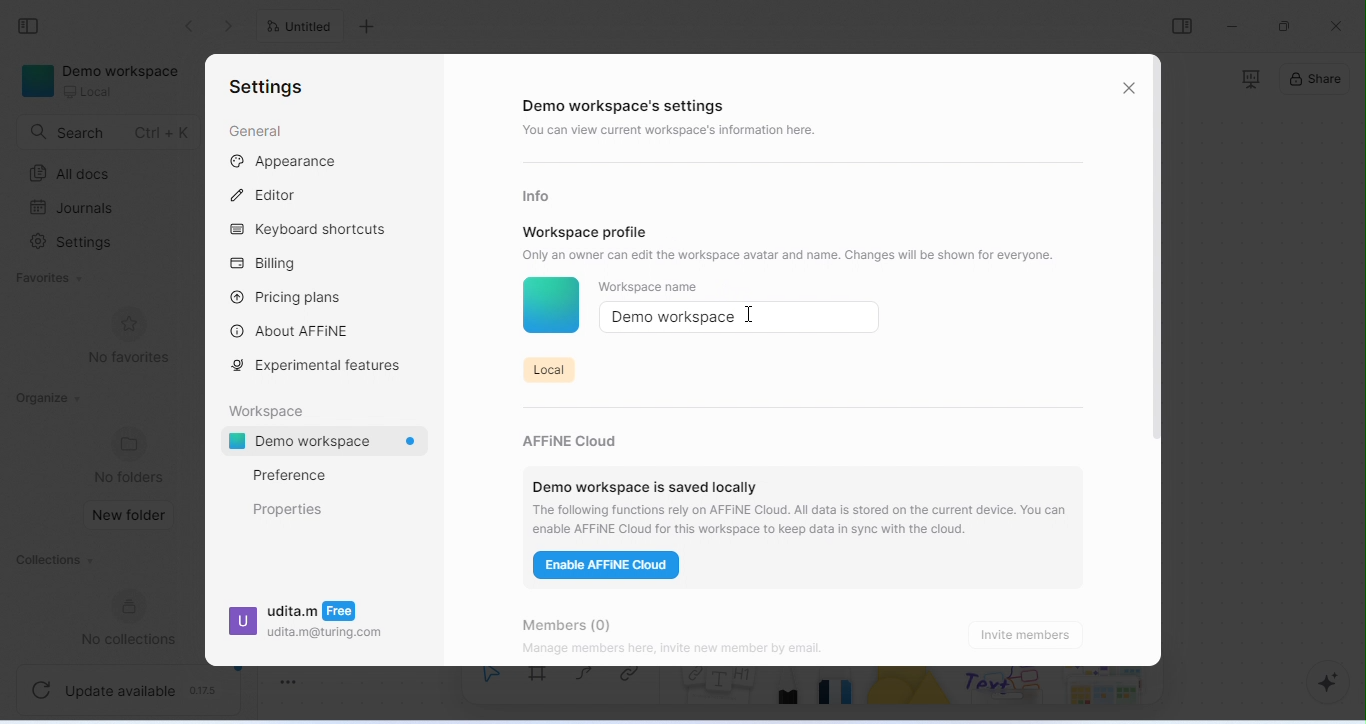 Image resolution: width=1366 pixels, height=724 pixels. I want to click on close, so click(1129, 87).